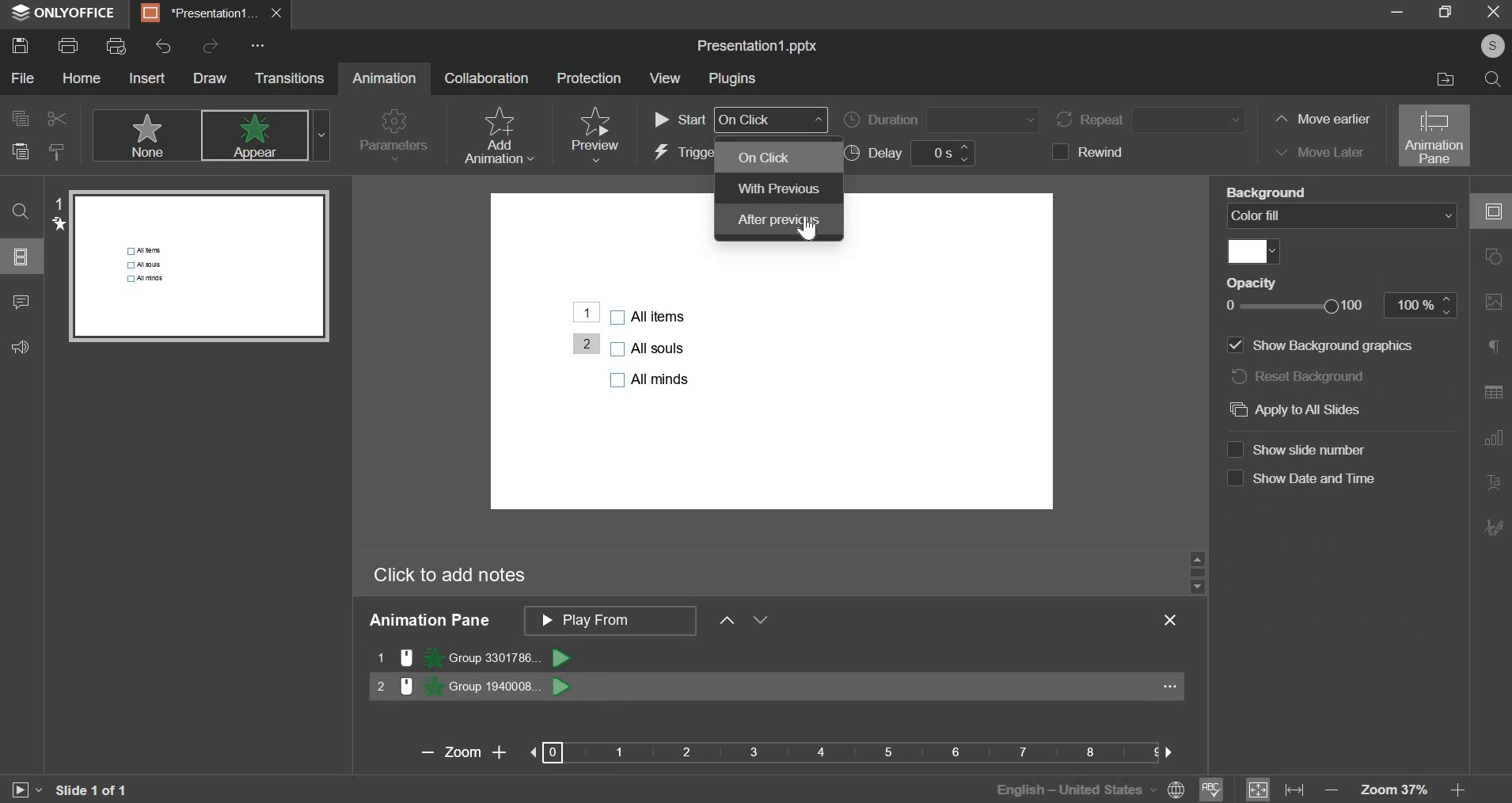 This screenshot has width=1512, height=803. What do you see at coordinates (915, 153) in the screenshot?
I see `delay` at bounding box center [915, 153].